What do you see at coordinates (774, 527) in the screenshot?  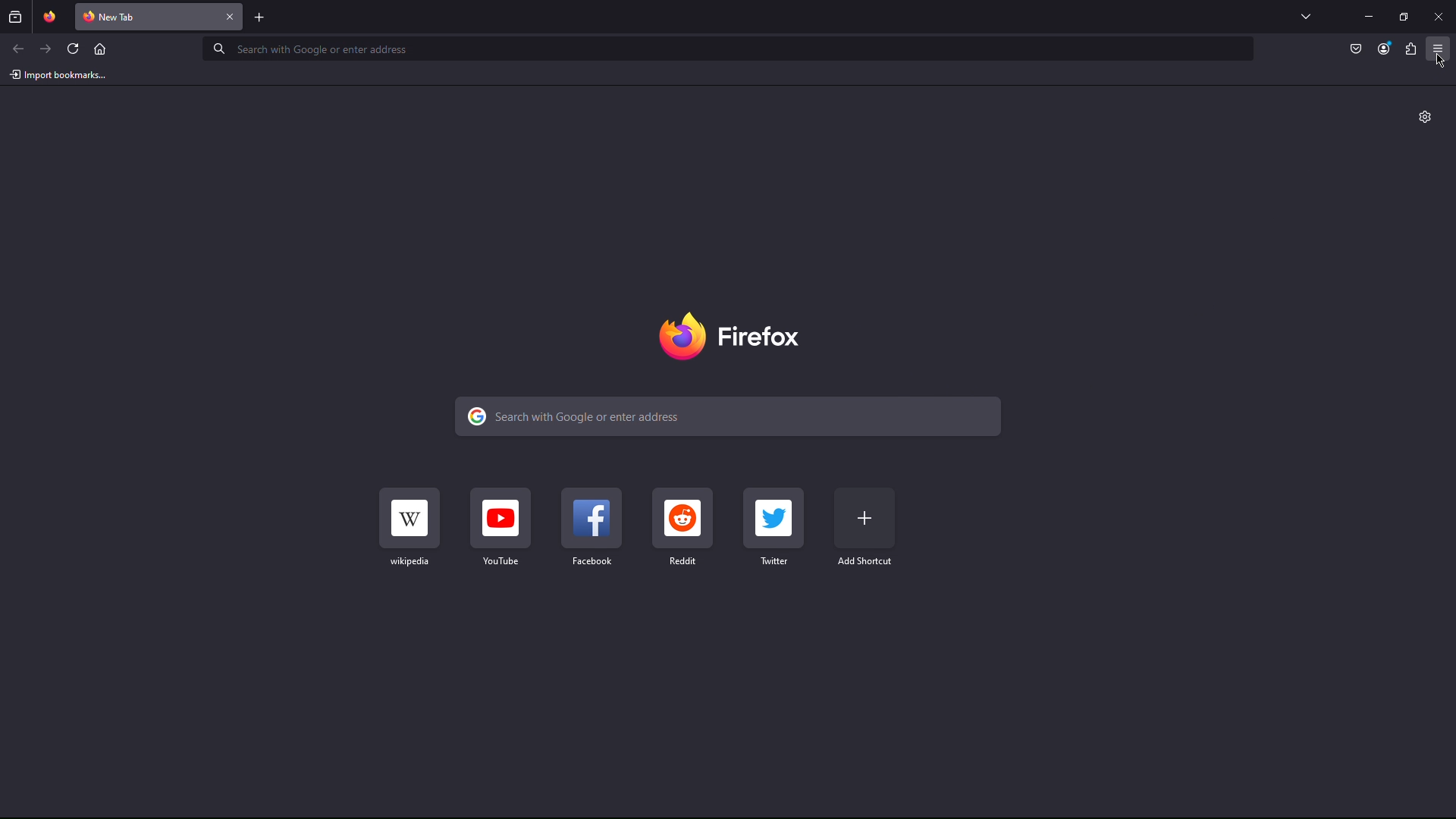 I see `Twitter` at bounding box center [774, 527].